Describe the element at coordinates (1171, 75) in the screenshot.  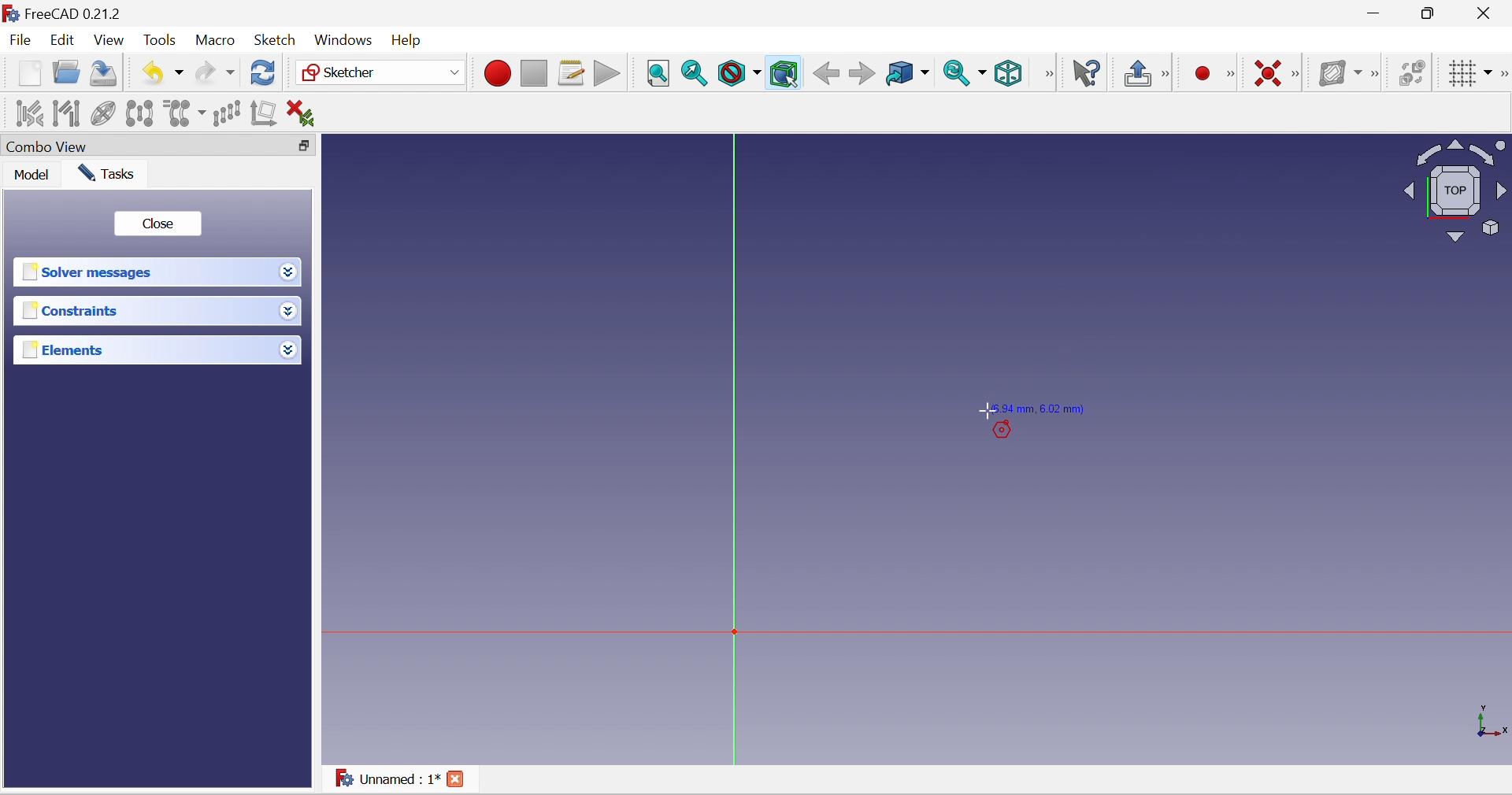
I see `[Sketcher edit mode]` at that location.